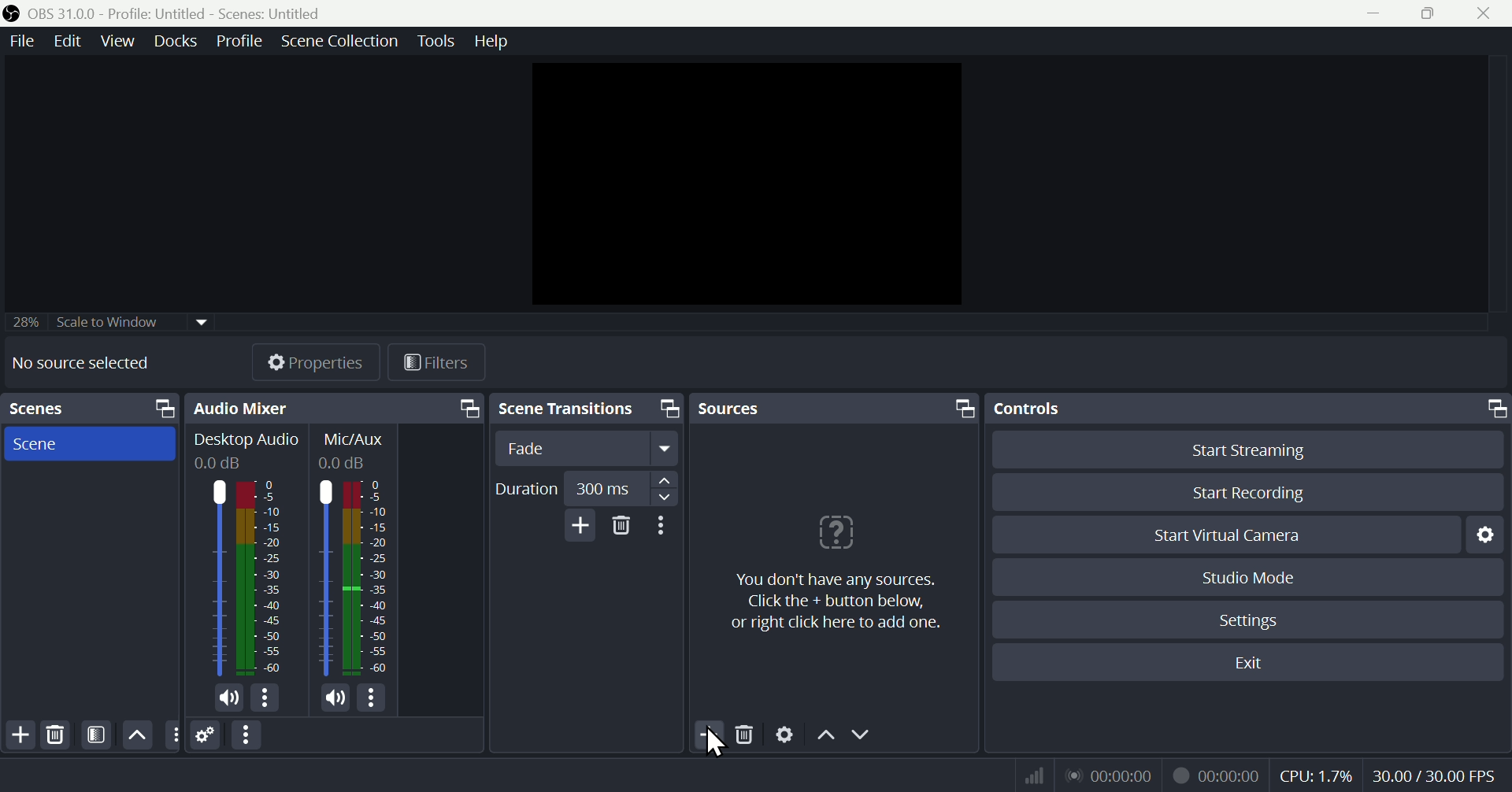  I want to click on Scale to , so click(103, 324).